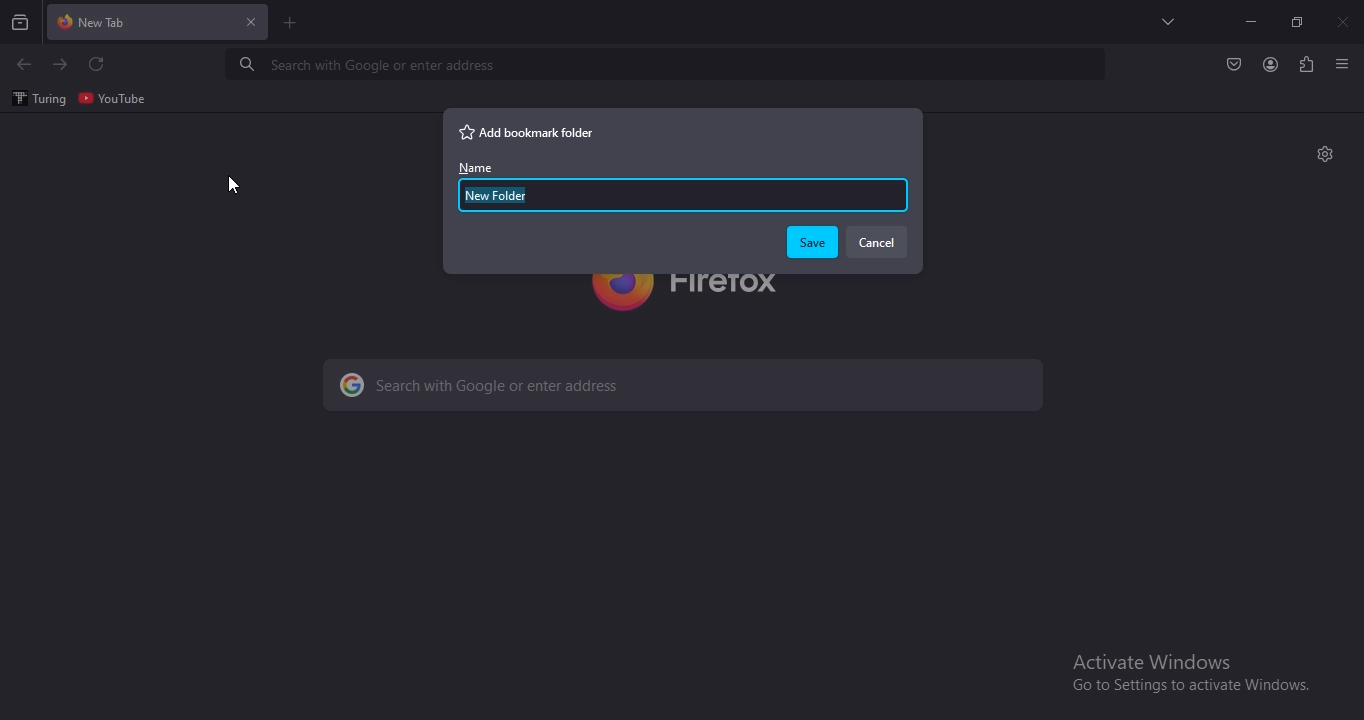 This screenshot has height=720, width=1364. Describe the element at coordinates (291, 25) in the screenshot. I see `new tab` at that location.